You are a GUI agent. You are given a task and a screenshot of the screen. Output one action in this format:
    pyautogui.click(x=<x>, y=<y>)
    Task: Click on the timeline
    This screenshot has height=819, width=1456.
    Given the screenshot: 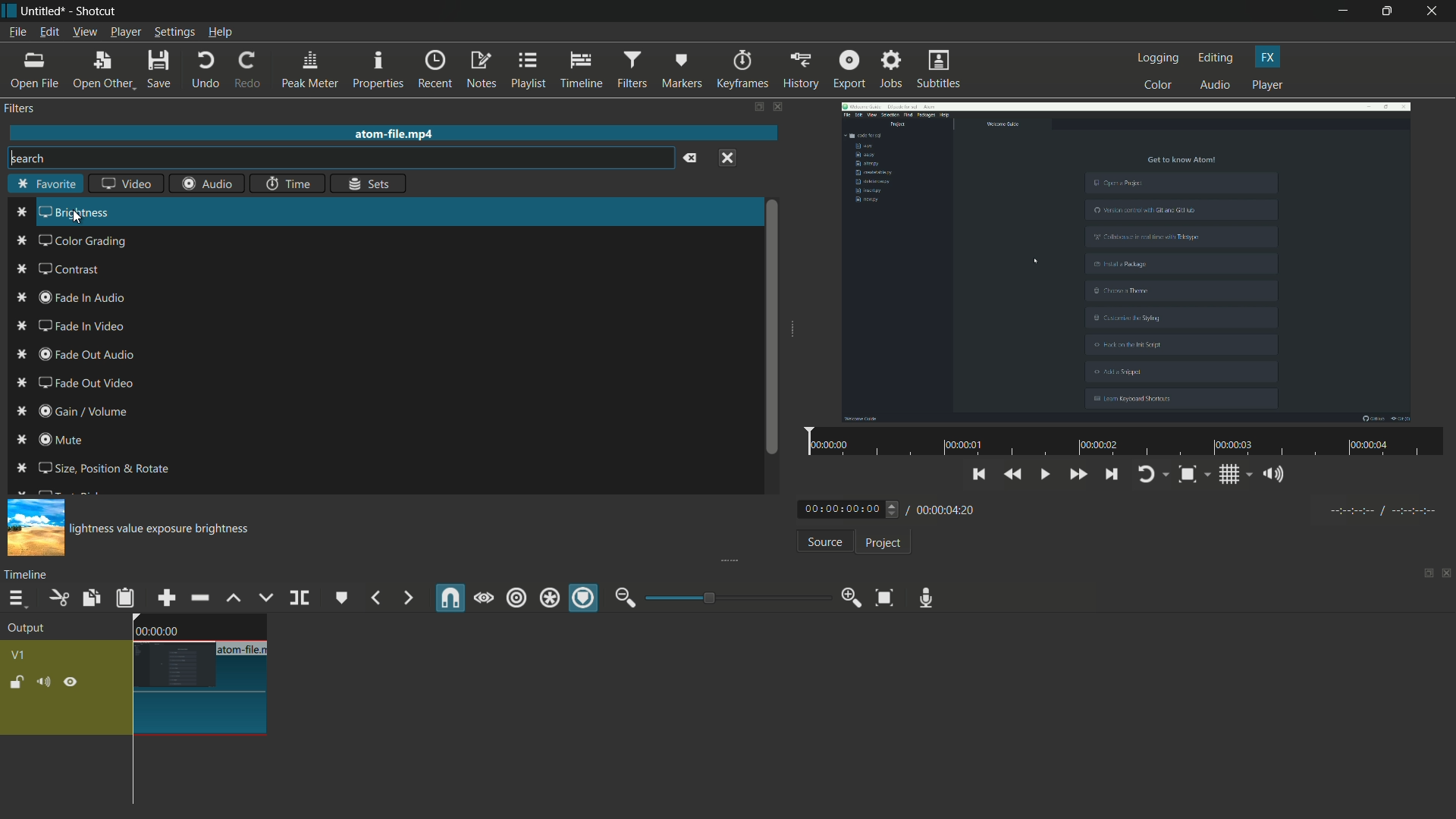 What is the action you would take?
    pyautogui.click(x=582, y=71)
    